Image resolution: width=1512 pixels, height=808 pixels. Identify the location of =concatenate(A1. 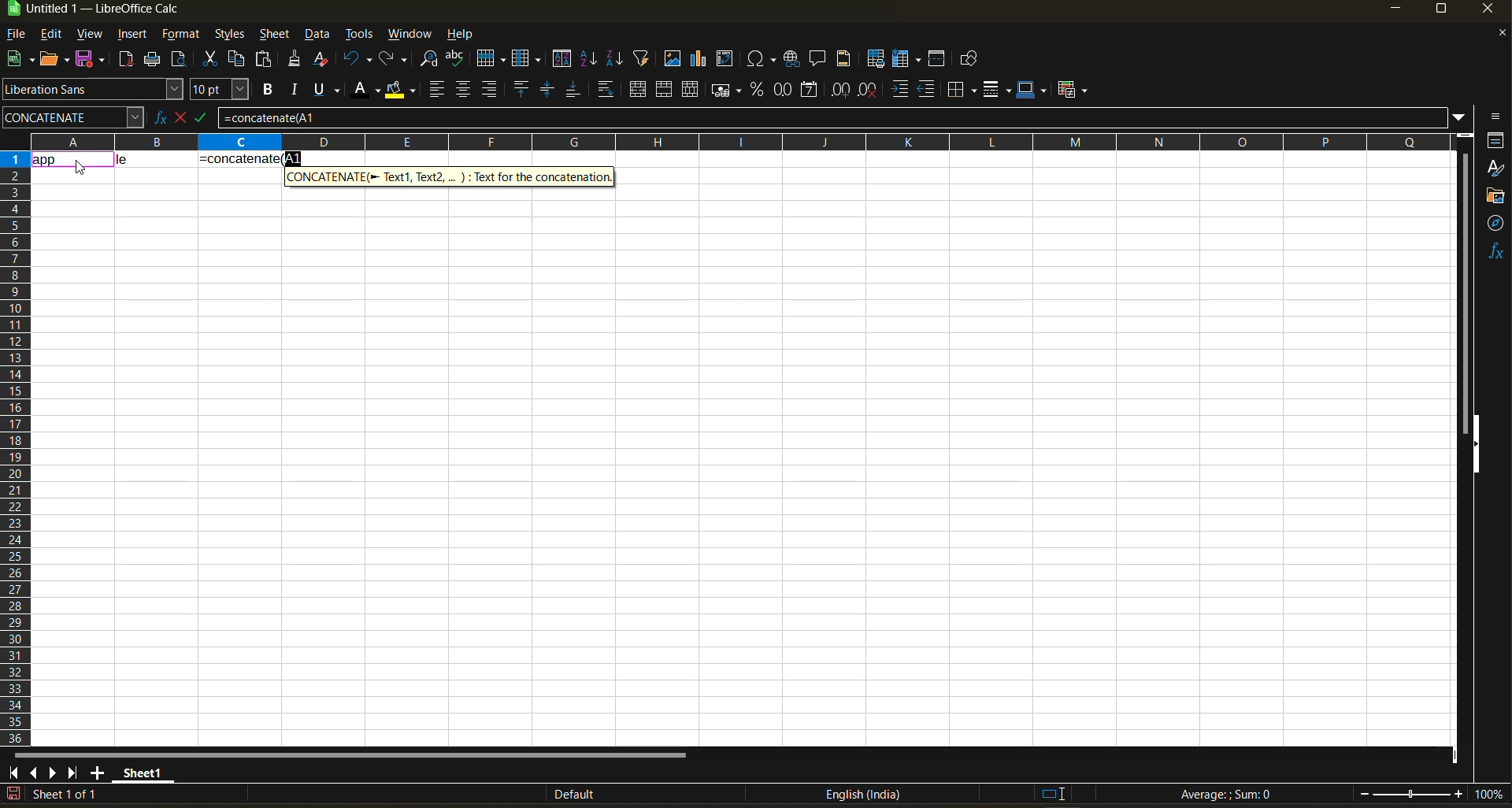
(832, 117).